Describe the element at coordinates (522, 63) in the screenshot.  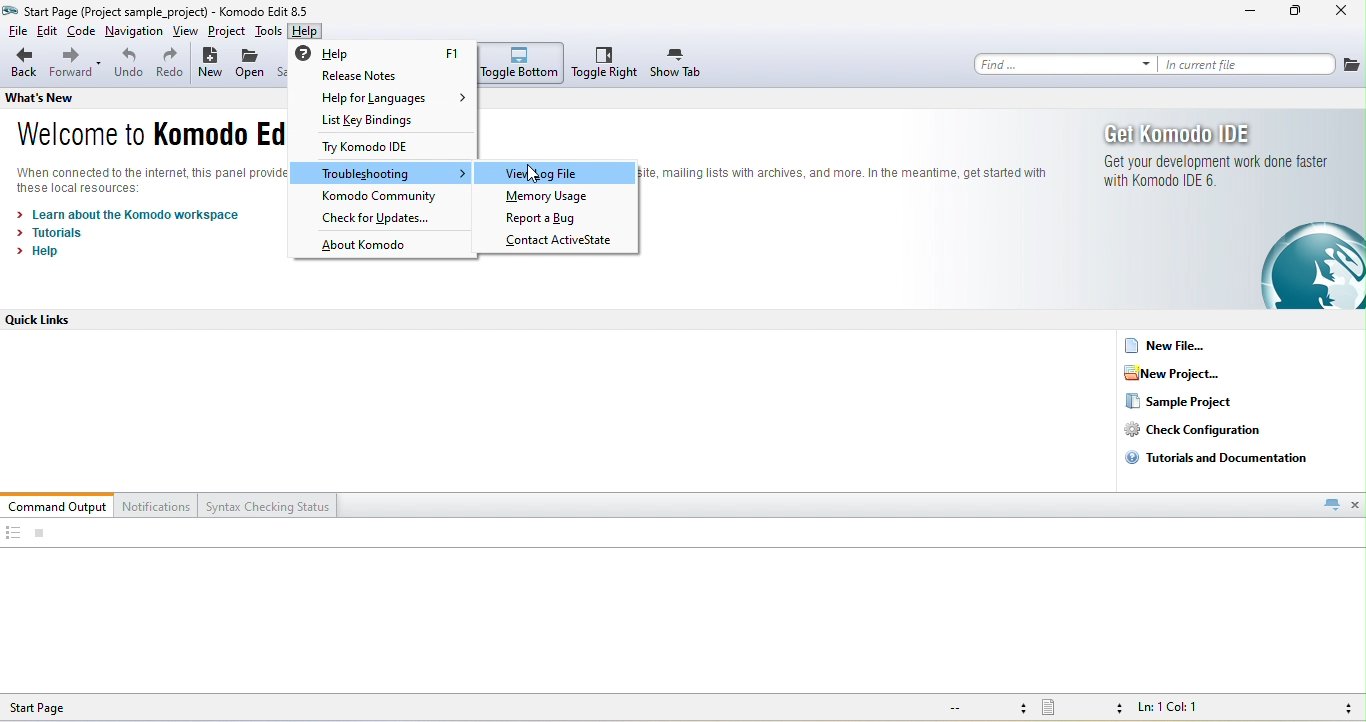
I see `toggle bottom` at that location.